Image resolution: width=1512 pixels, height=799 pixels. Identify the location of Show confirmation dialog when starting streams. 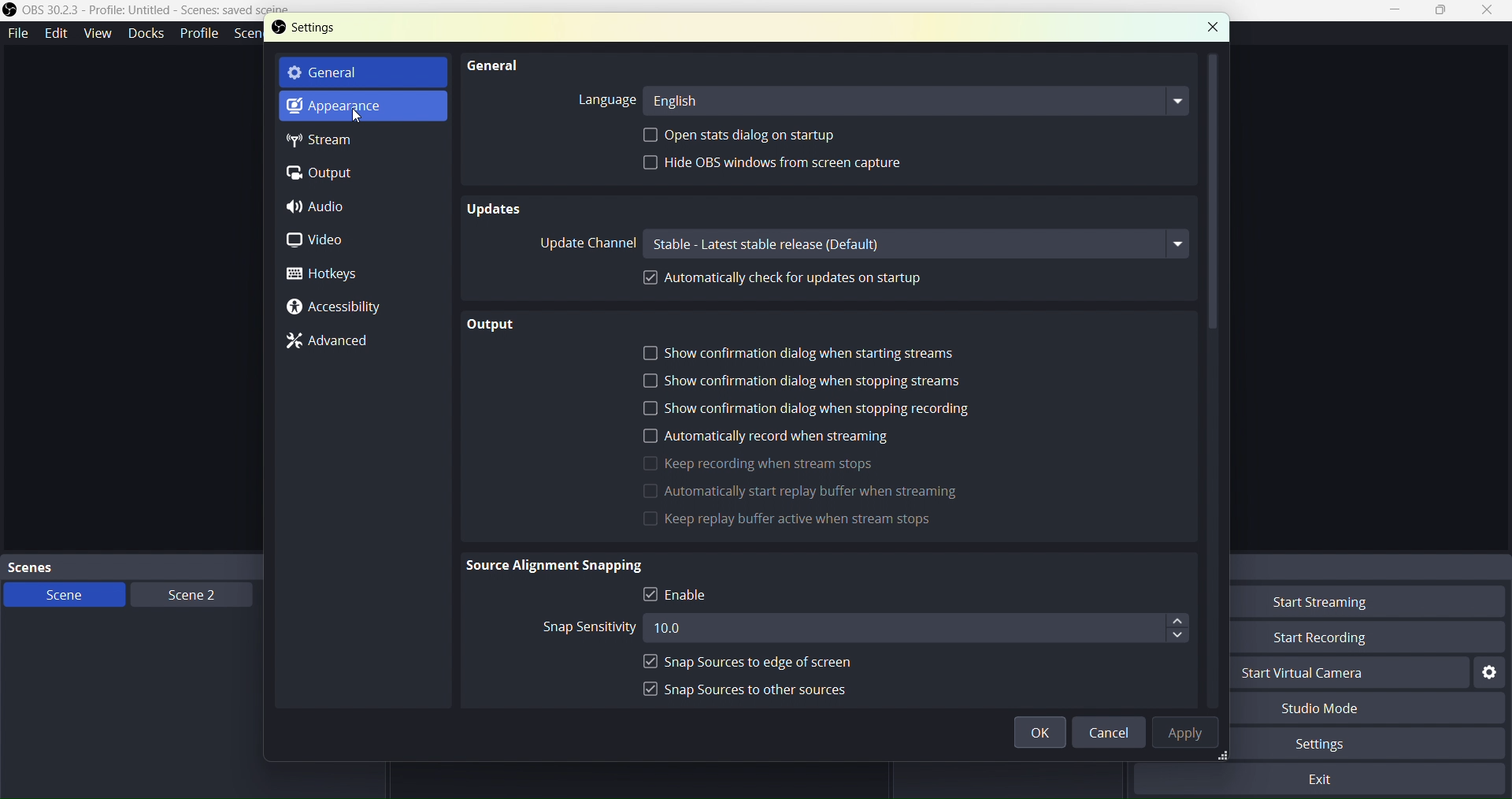
(800, 353).